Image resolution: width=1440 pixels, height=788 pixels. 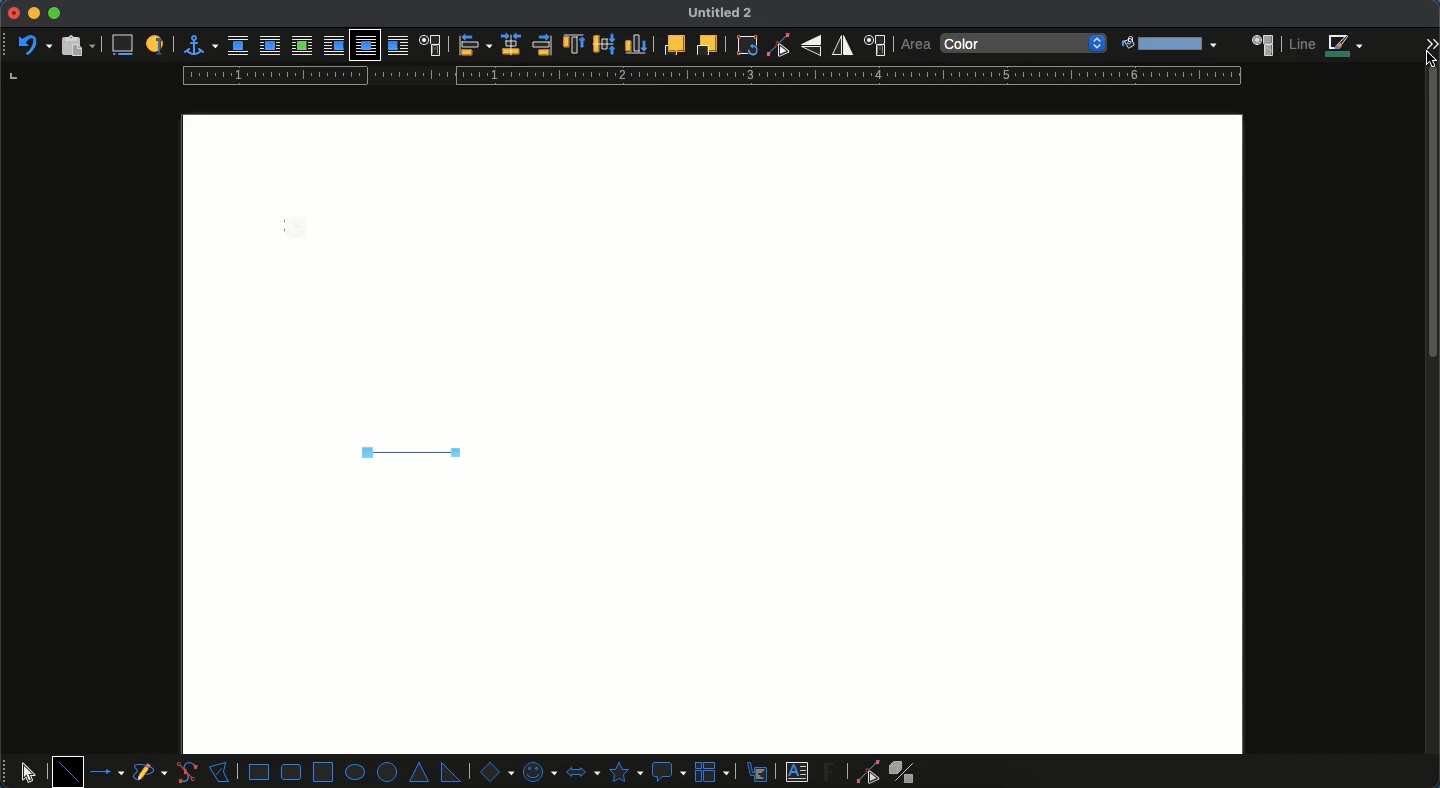 I want to click on line, so click(x=68, y=771).